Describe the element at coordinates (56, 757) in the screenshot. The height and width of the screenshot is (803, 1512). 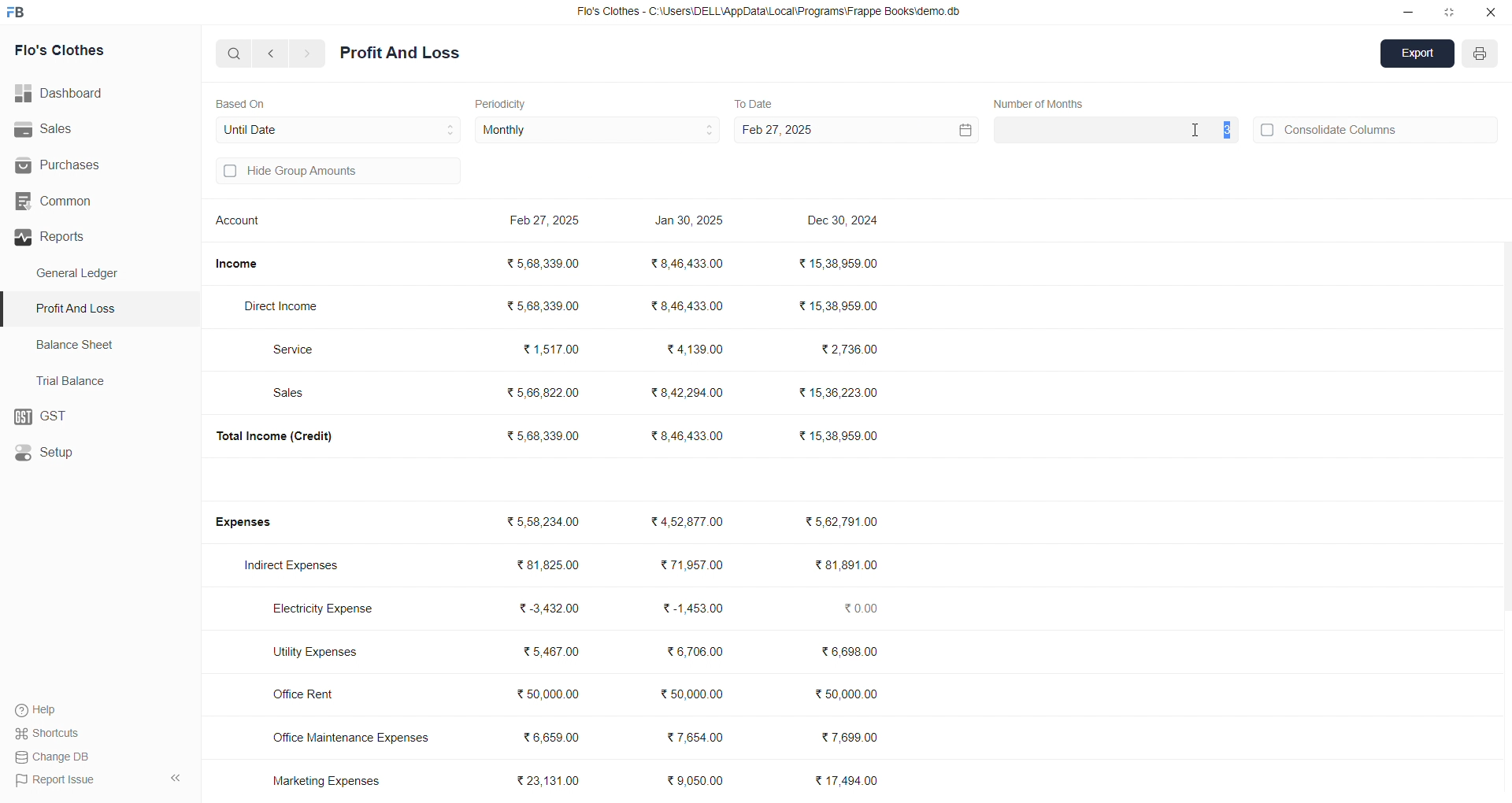
I see `Change DB` at that location.